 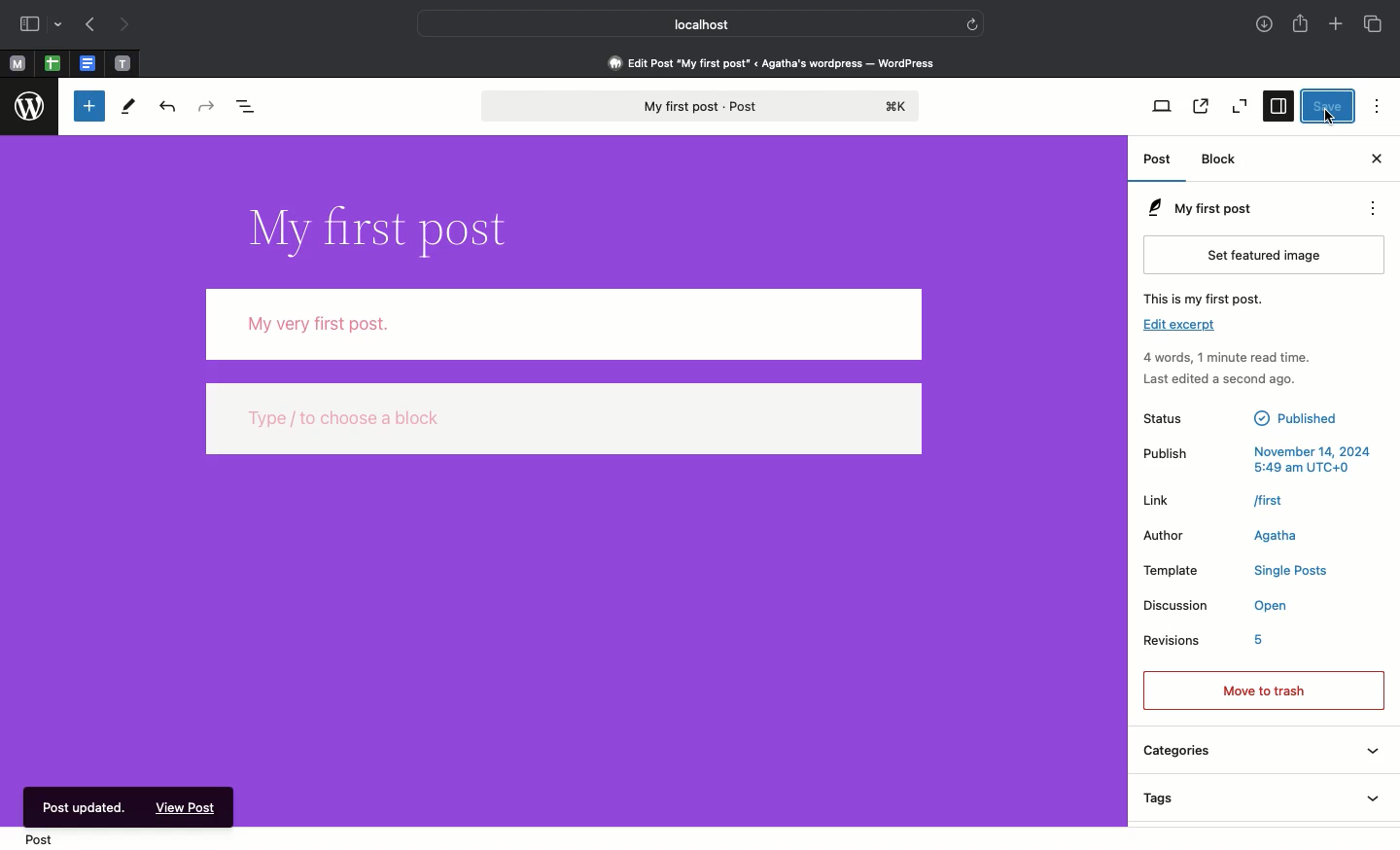 I want to click on , so click(x=568, y=419).